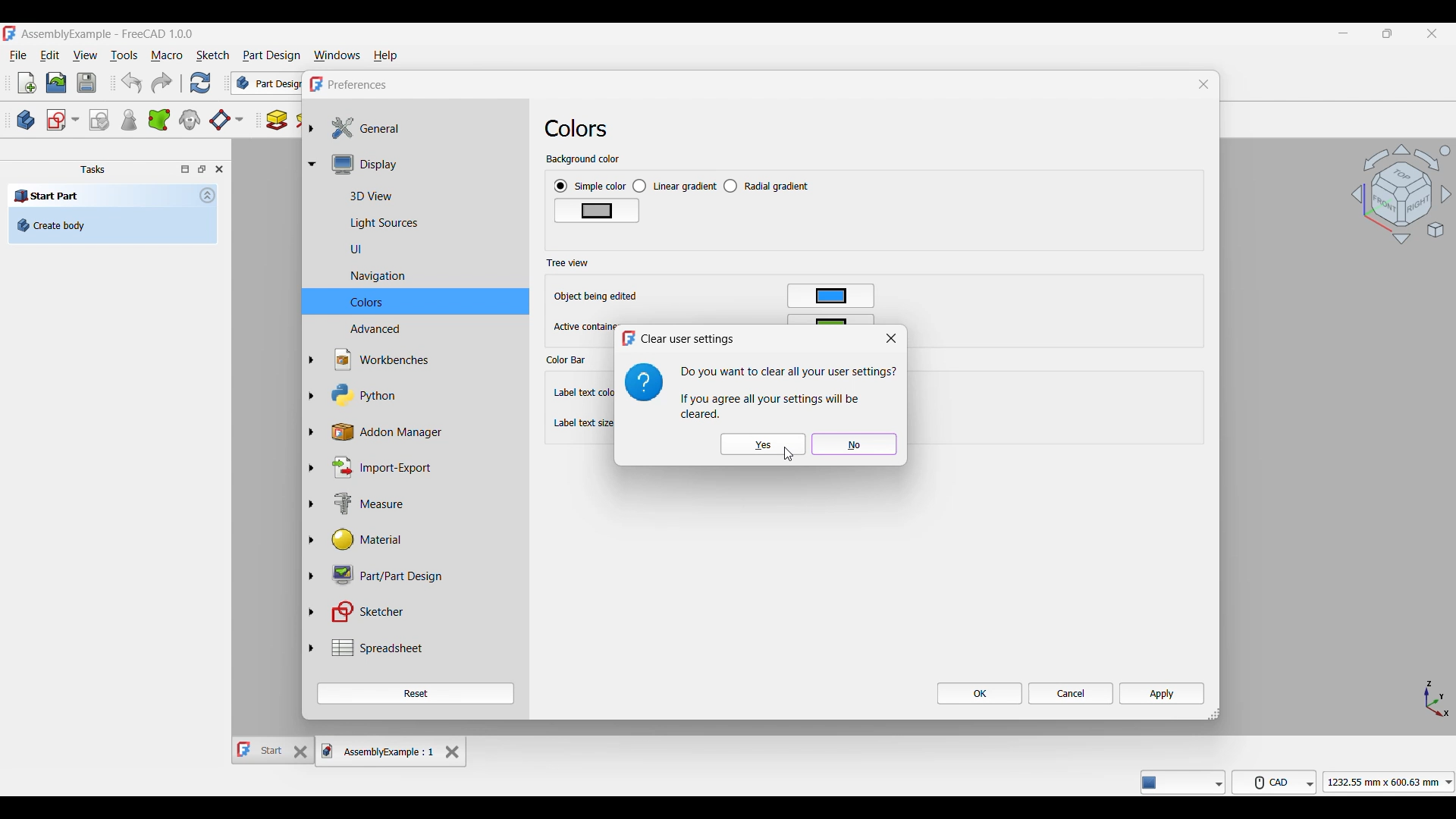 This screenshot has width=1456, height=819. What do you see at coordinates (27, 83) in the screenshot?
I see `New` at bounding box center [27, 83].